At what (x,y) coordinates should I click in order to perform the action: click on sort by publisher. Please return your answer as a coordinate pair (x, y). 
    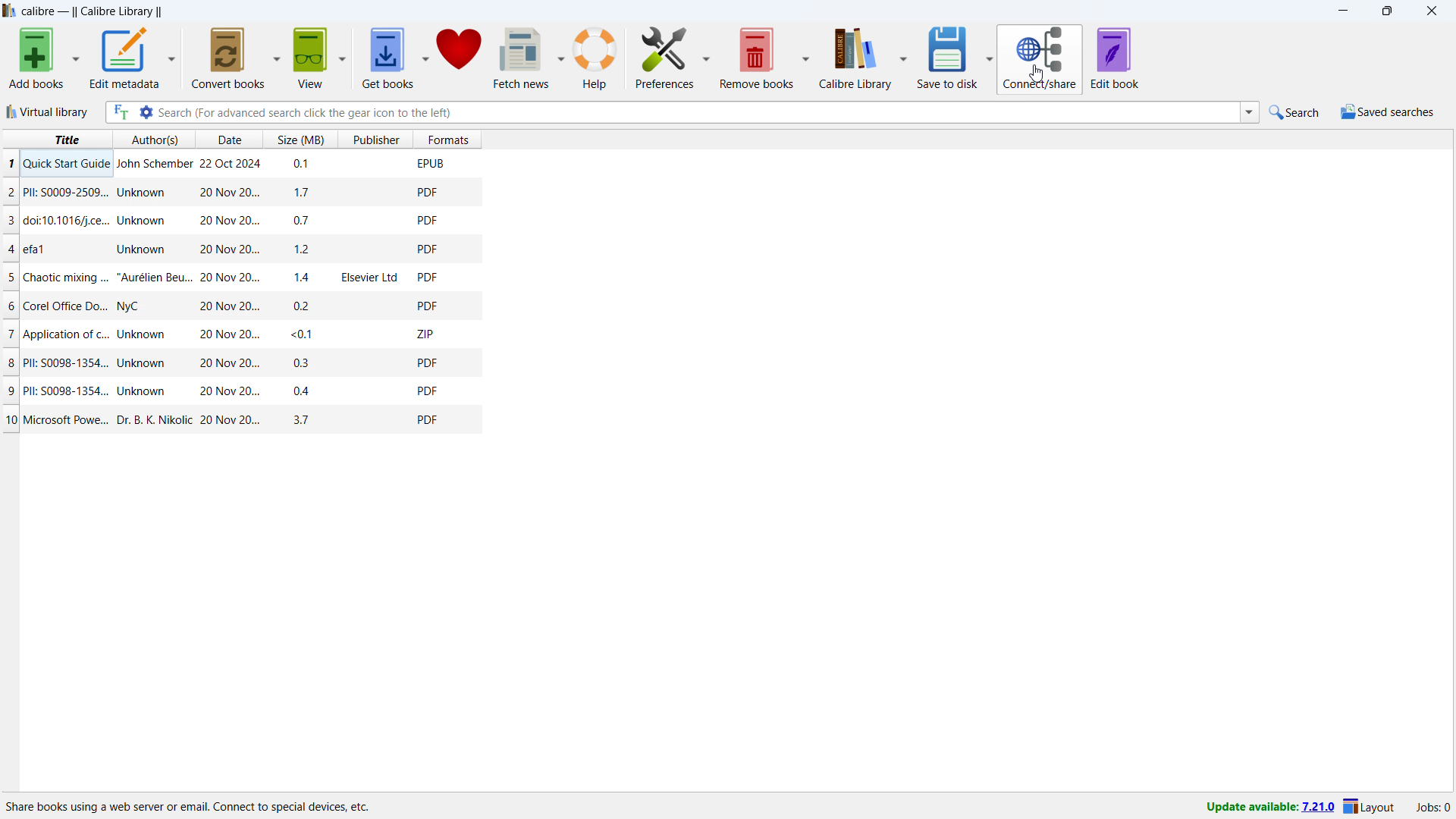
    Looking at the image, I should click on (374, 139).